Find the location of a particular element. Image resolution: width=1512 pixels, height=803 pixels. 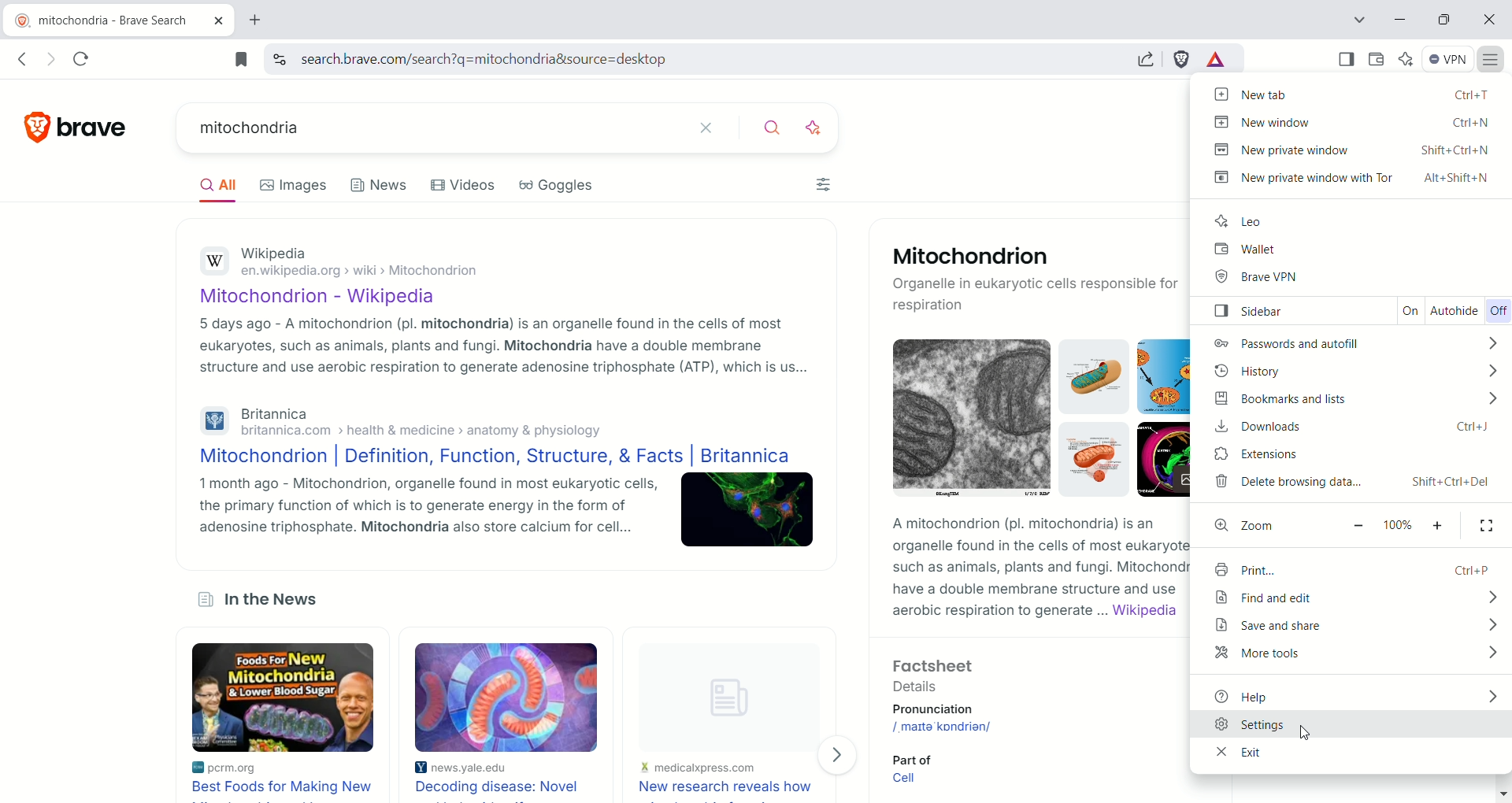

bookmarks and lists is located at coordinates (1349, 399).